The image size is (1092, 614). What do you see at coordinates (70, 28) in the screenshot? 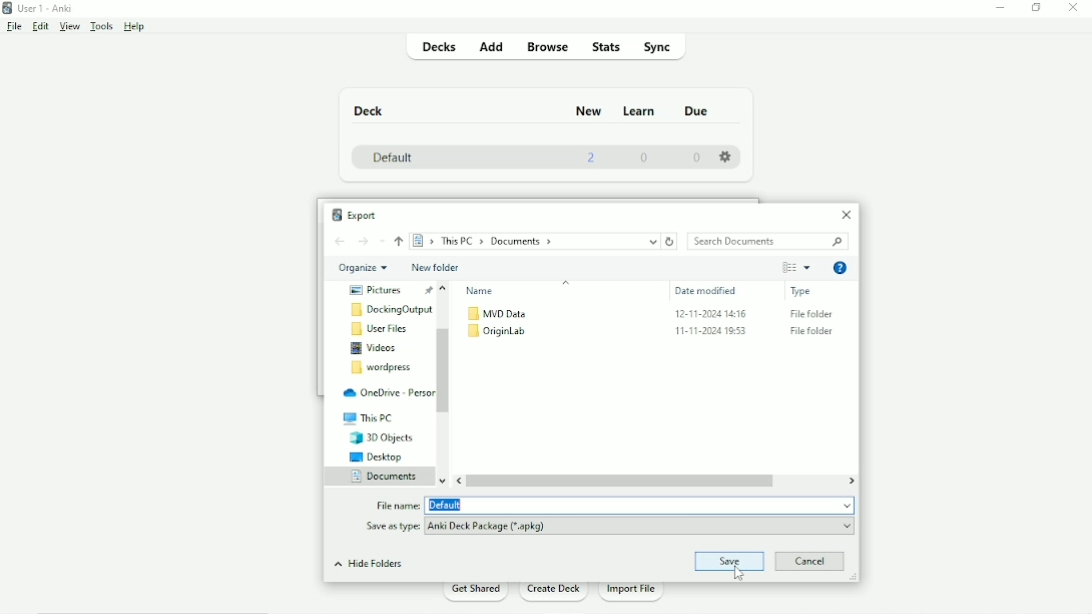
I see `View` at bounding box center [70, 28].